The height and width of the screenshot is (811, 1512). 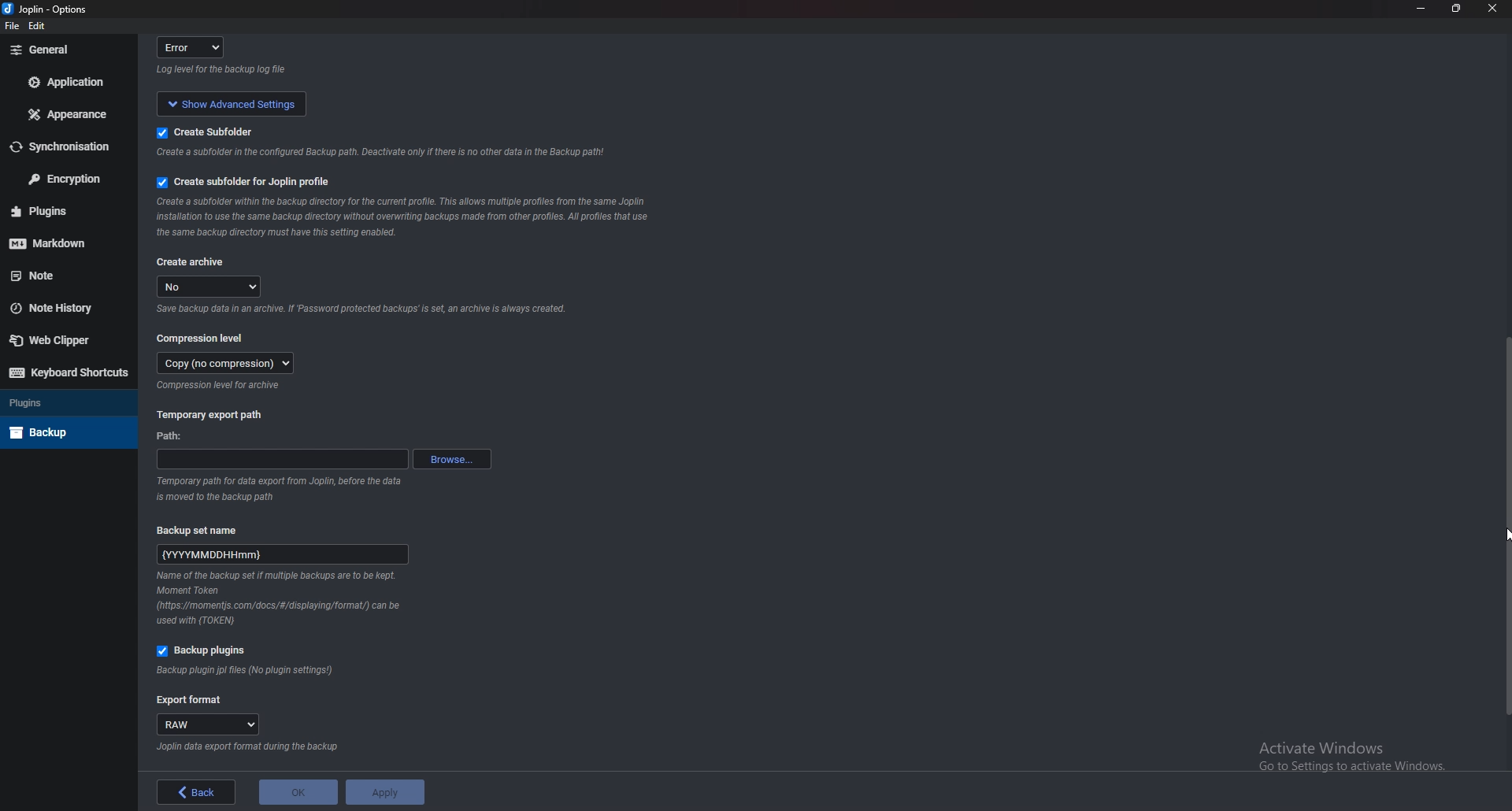 What do you see at coordinates (174, 438) in the screenshot?
I see `path` at bounding box center [174, 438].